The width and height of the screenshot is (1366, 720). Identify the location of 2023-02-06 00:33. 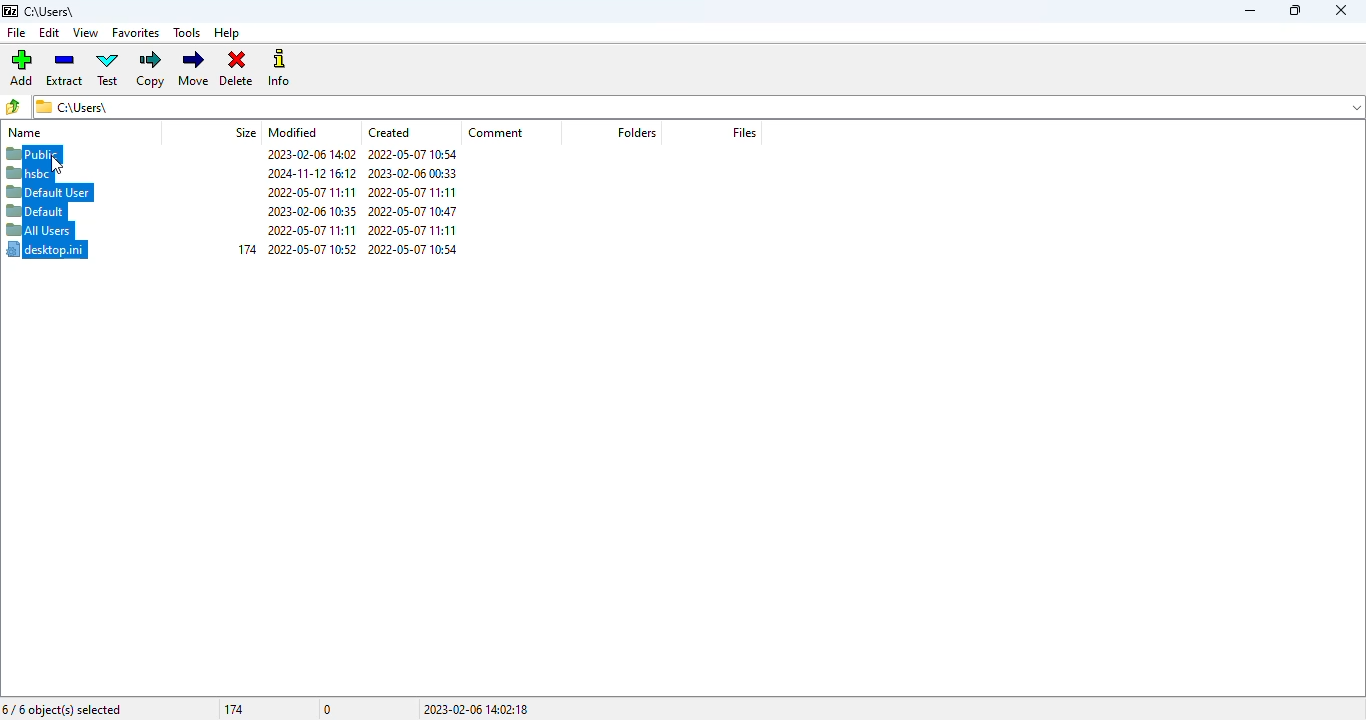
(415, 174).